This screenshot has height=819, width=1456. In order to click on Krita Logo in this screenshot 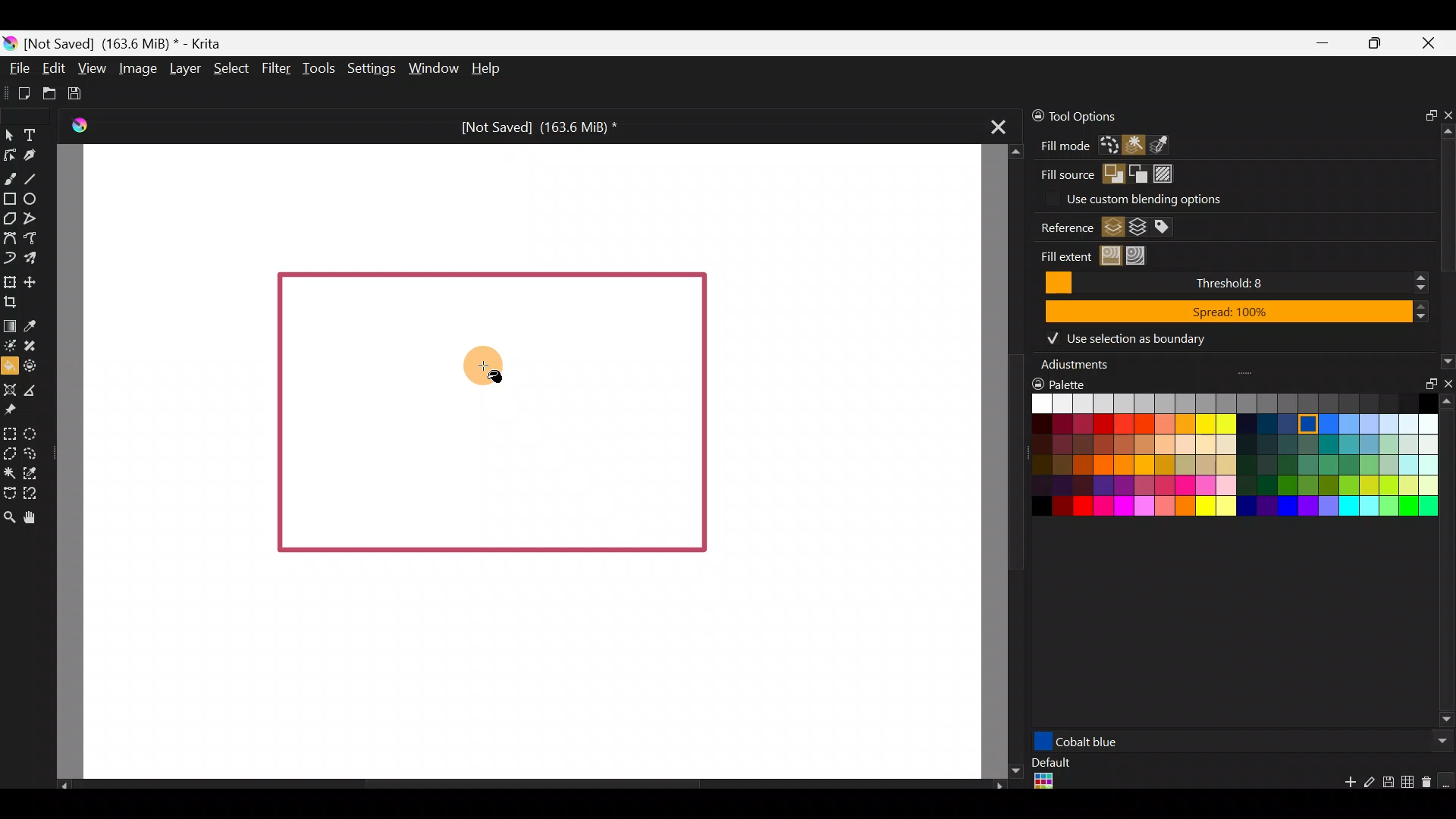, I will do `click(80, 124)`.